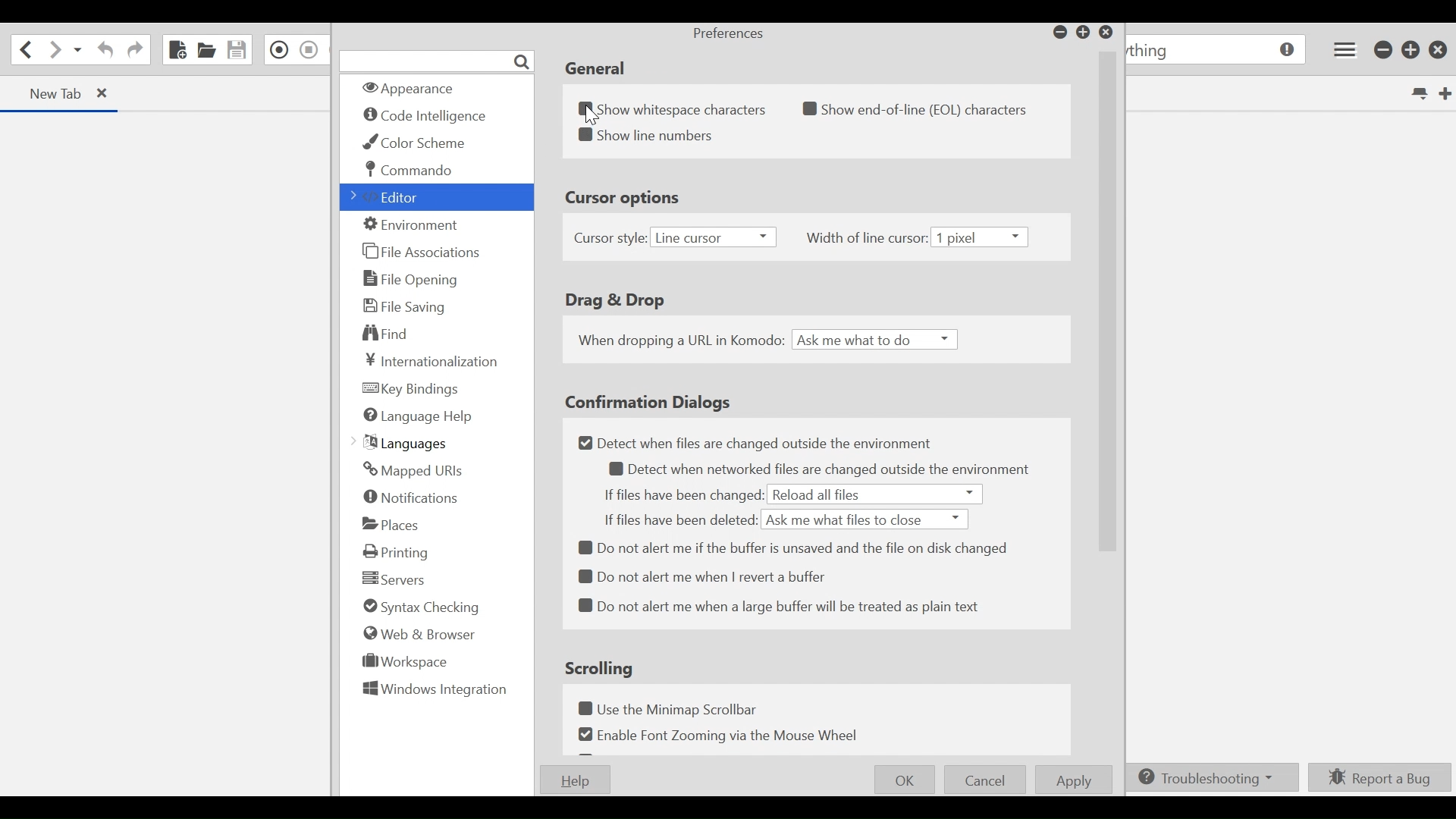 The width and height of the screenshot is (1456, 819). What do you see at coordinates (416, 143) in the screenshot?
I see `Color Scheme` at bounding box center [416, 143].